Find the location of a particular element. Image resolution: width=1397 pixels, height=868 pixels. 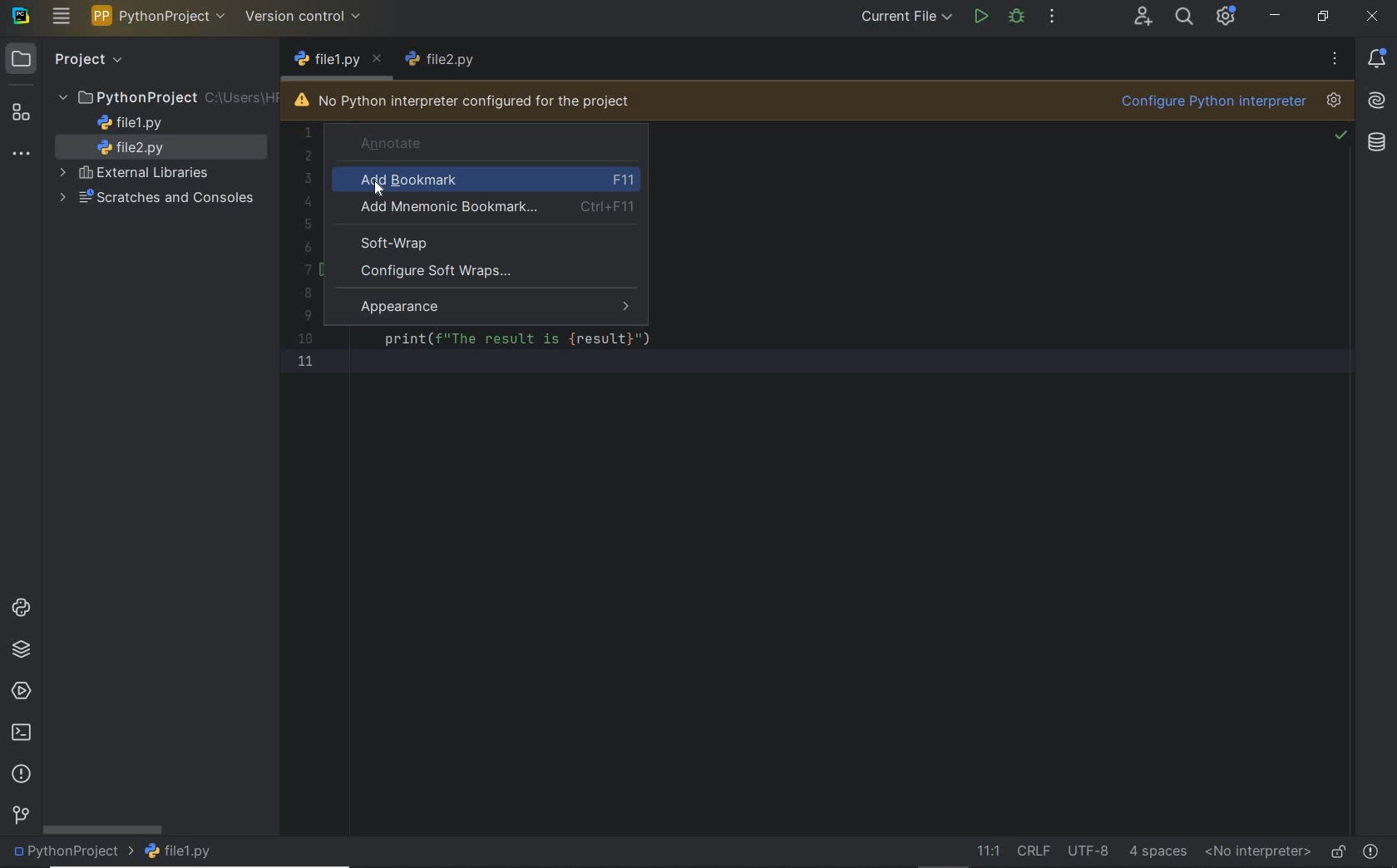

file name 2 is located at coordinates (137, 149).